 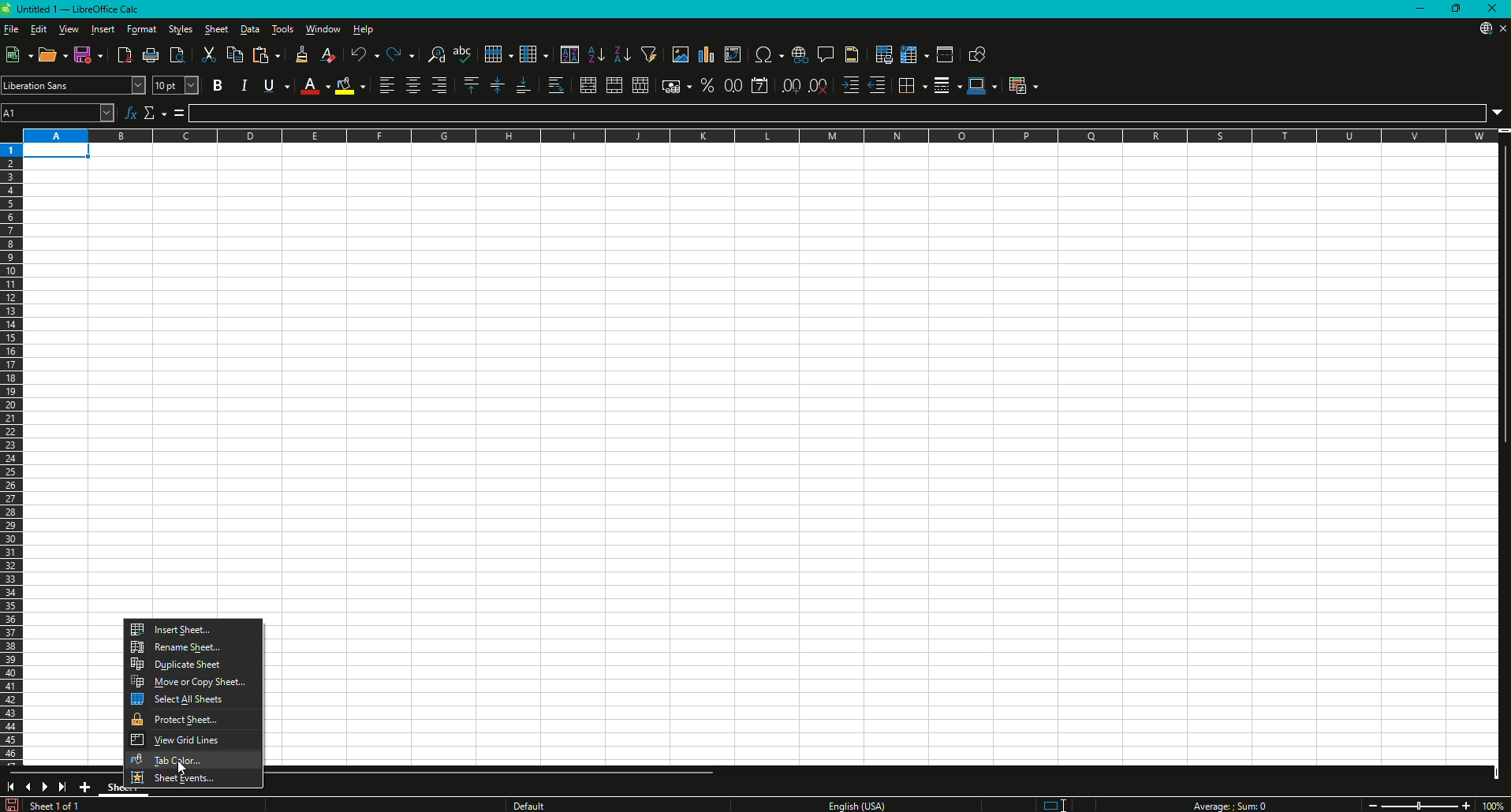 I want to click on Selected cell, so click(x=57, y=151).